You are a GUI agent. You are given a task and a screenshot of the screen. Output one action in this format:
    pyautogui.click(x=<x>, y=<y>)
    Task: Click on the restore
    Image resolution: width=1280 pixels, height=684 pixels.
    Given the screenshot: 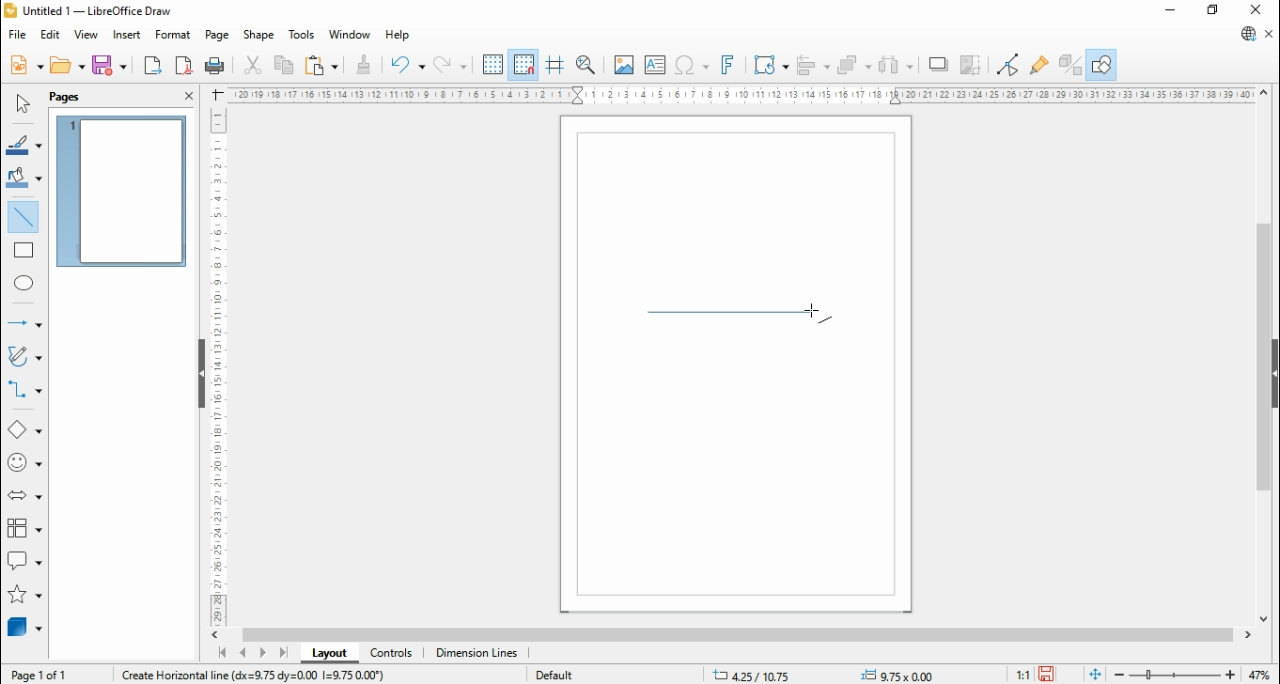 What is the action you would take?
    pyautogui.click(x=1214, y=11)
    